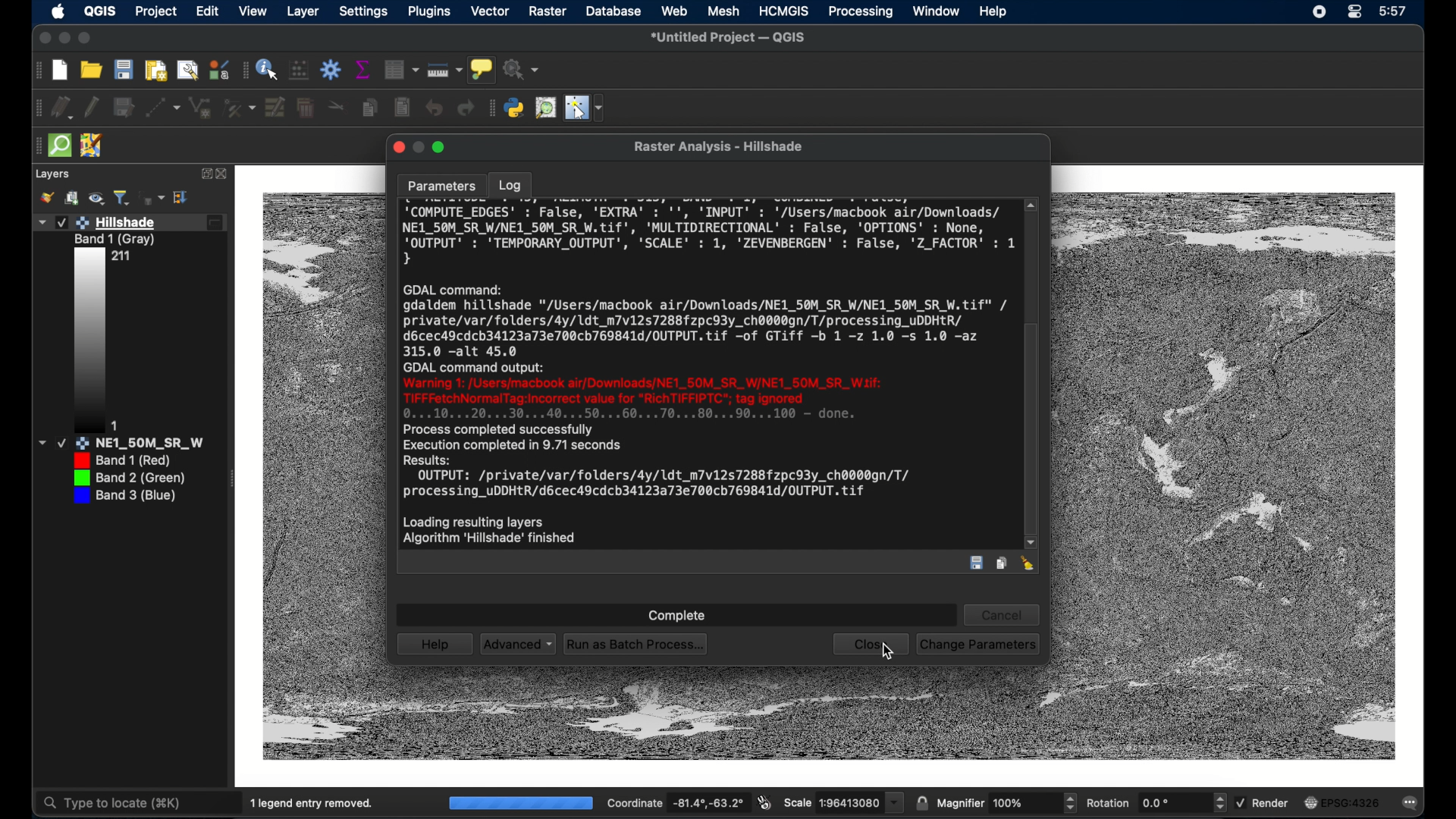  Describe the element at coordinates (224, 174) in the screenshot. I see `close` at that location.